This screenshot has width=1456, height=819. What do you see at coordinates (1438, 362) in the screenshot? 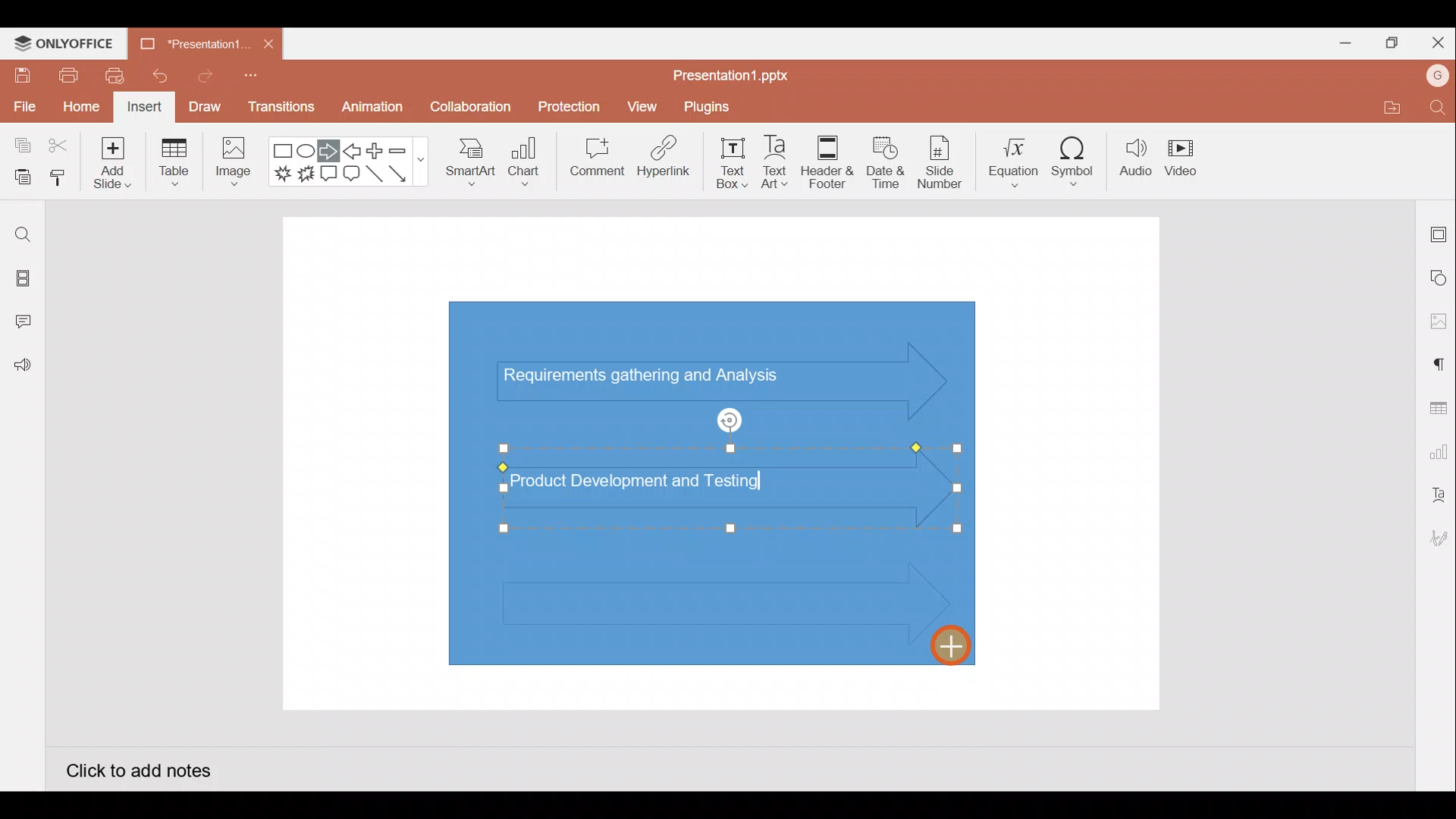
I see `Paragraph settings` at bounding box center [1438, 362].